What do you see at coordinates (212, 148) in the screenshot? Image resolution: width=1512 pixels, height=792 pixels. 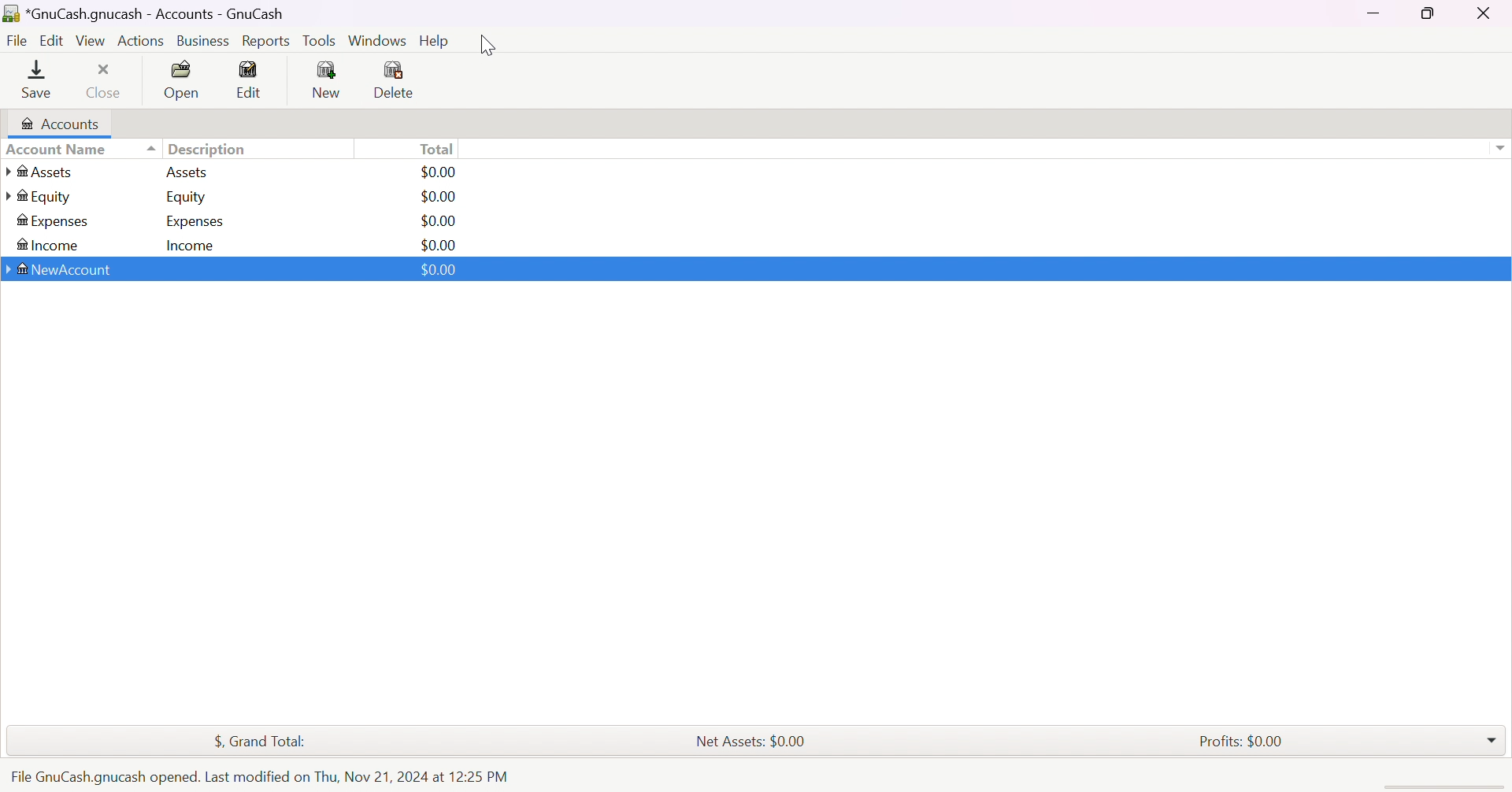 I see `Description` at bounding box center [212, 148].